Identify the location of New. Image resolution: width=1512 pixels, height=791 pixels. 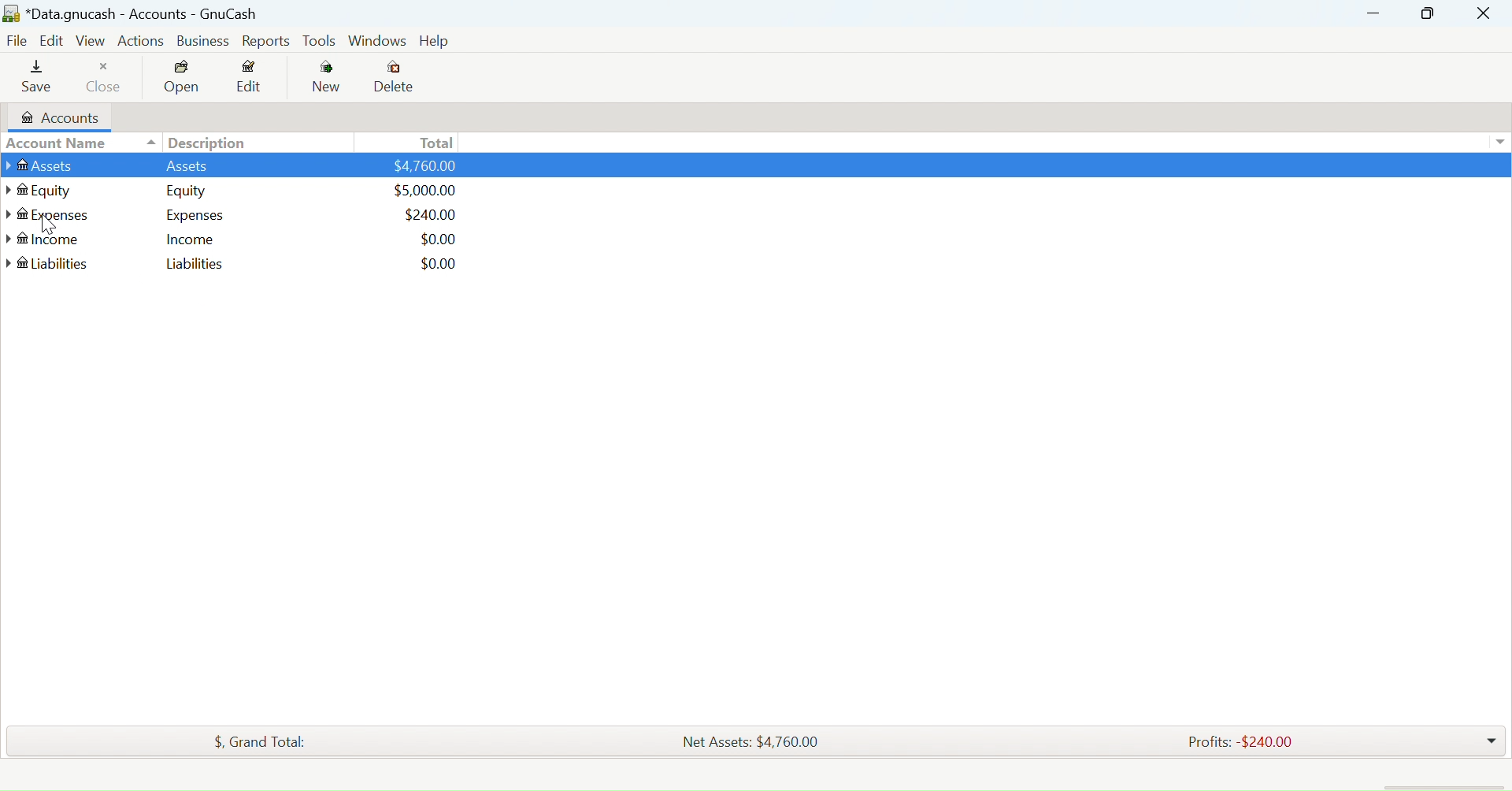
(323, 77).